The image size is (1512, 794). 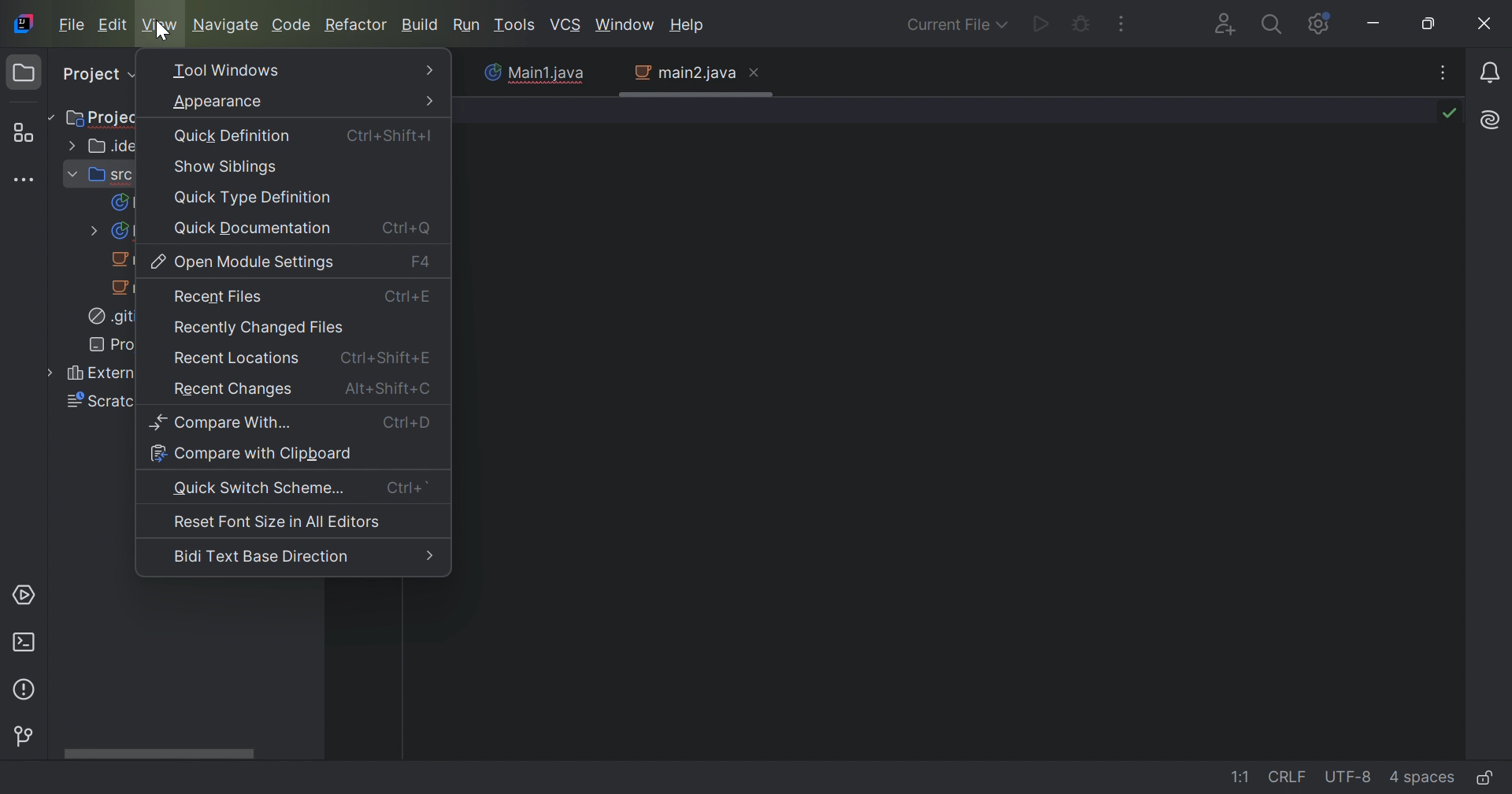 What do you see at coordinates (26, 182) in the screenshot?
I see `More tool windows` at bounding box center [26, 182].